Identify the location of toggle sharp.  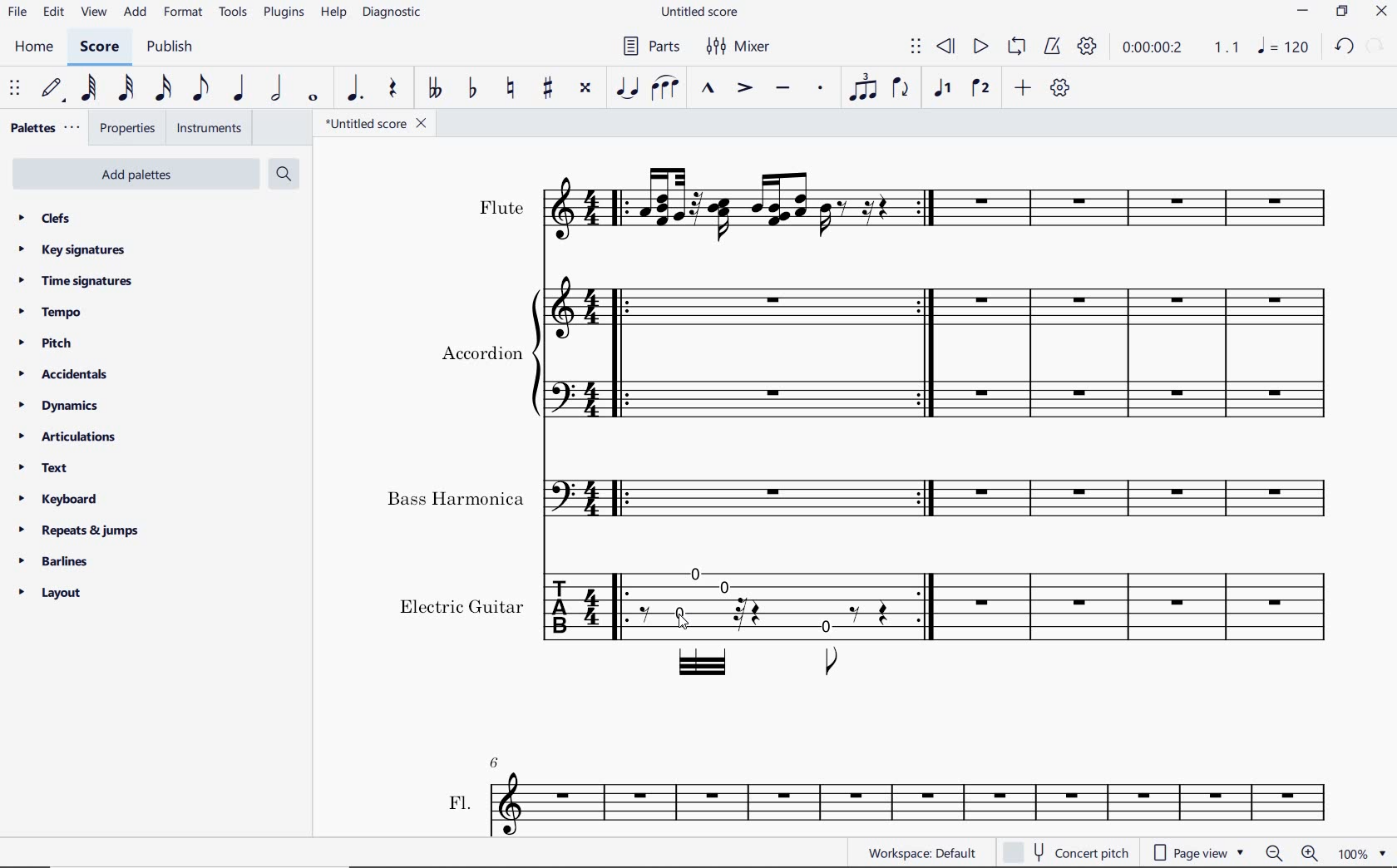
(550, 88).